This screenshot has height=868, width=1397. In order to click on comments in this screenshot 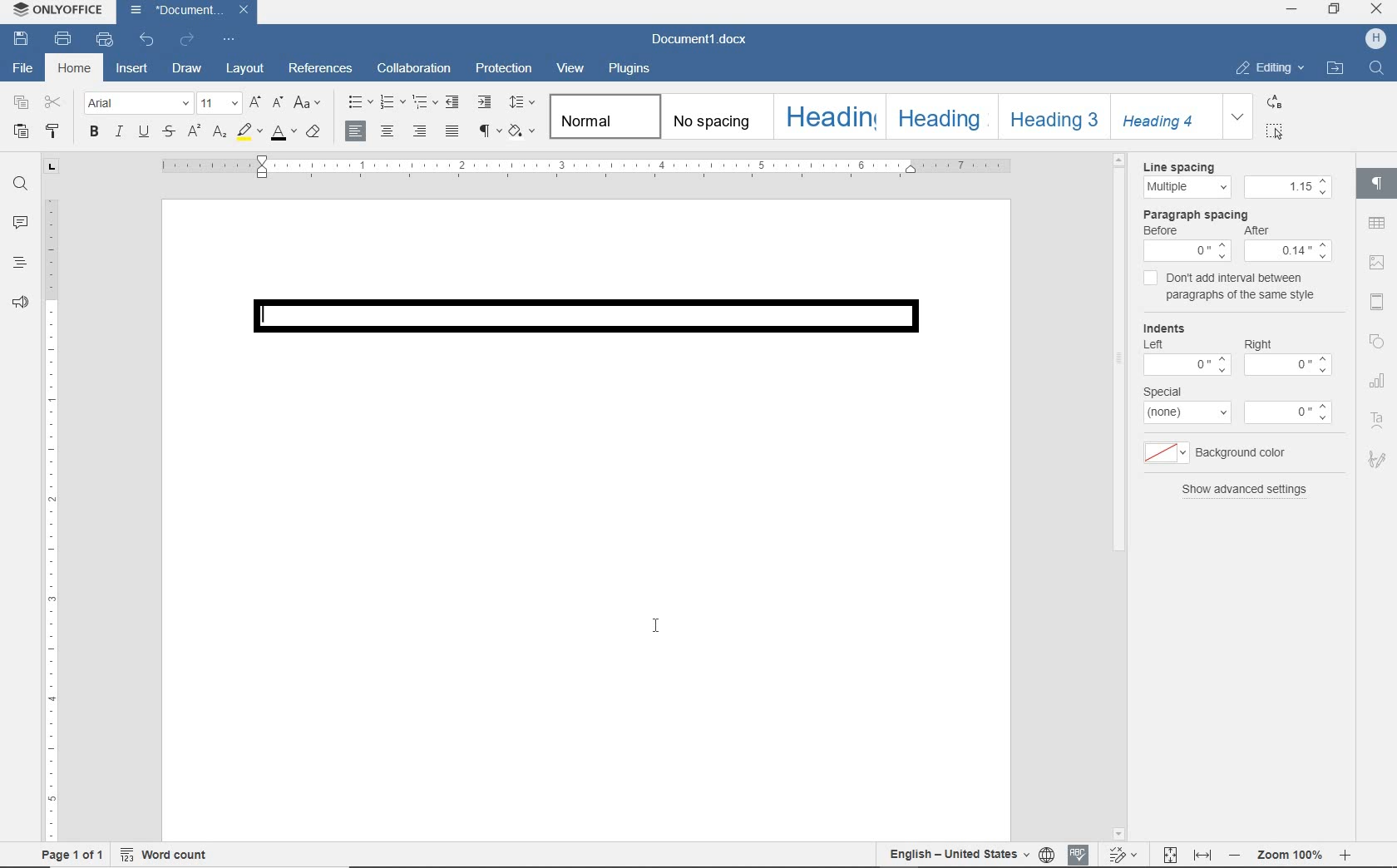, I will do `click(20, 224)`.